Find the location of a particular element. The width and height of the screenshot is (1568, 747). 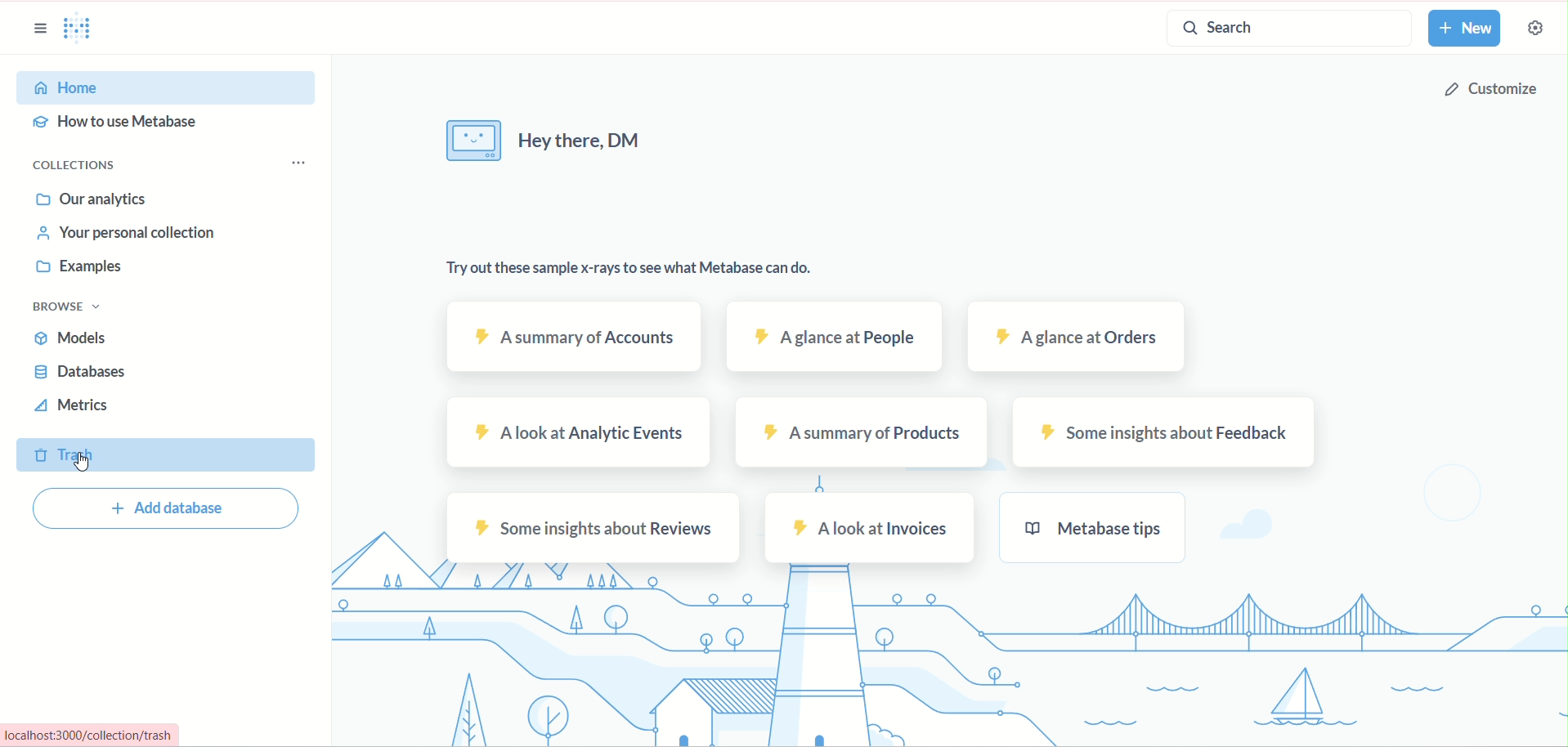

how to use metabase is located at coordinates (121, 125).